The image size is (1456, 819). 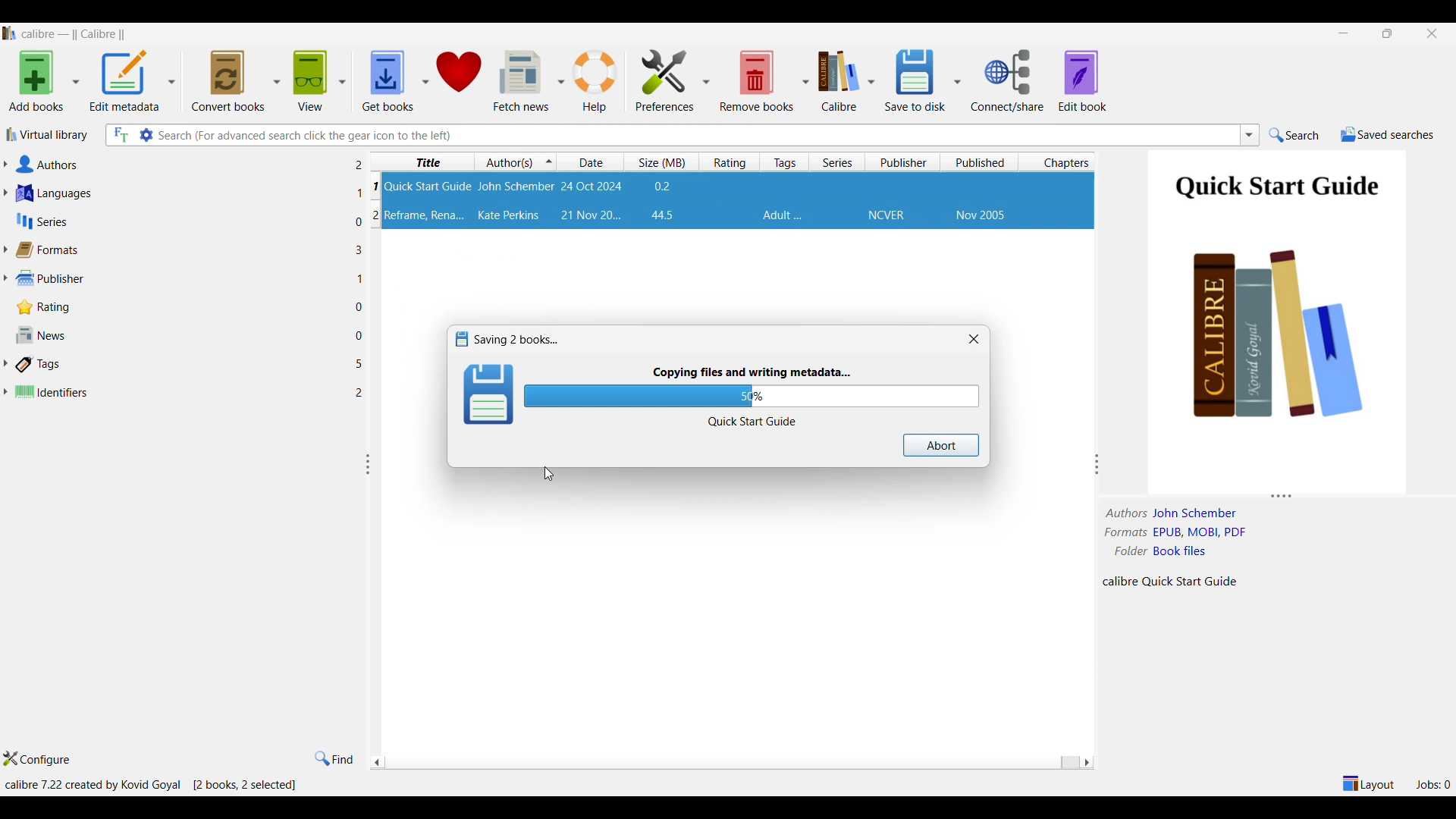 What do you see at coordinates (235, 80) in the screenshot?
I see `Convert book options ` at bounding box center [235, 80].